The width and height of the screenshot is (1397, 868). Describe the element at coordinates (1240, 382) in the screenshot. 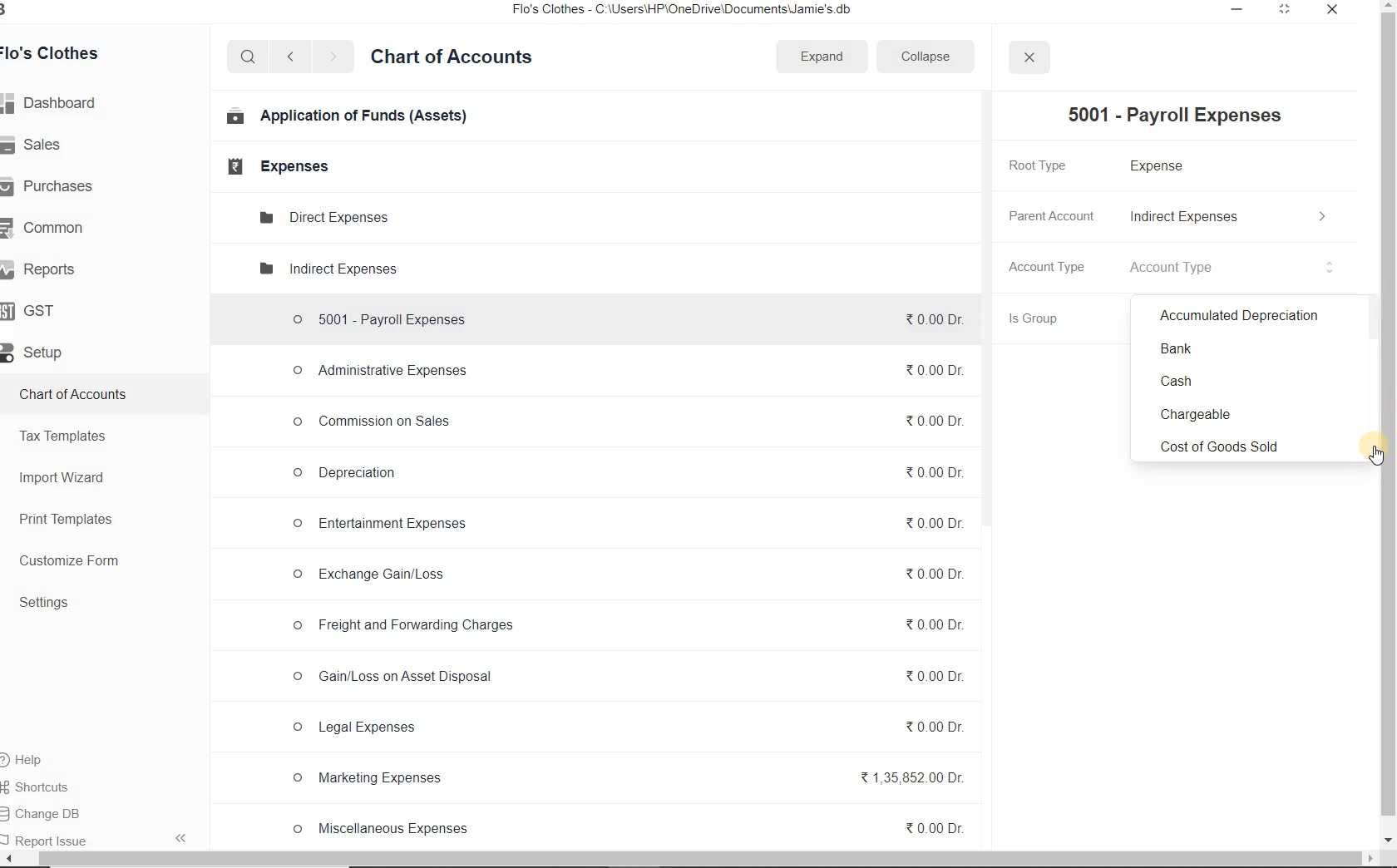

I see `Cash` at that location.